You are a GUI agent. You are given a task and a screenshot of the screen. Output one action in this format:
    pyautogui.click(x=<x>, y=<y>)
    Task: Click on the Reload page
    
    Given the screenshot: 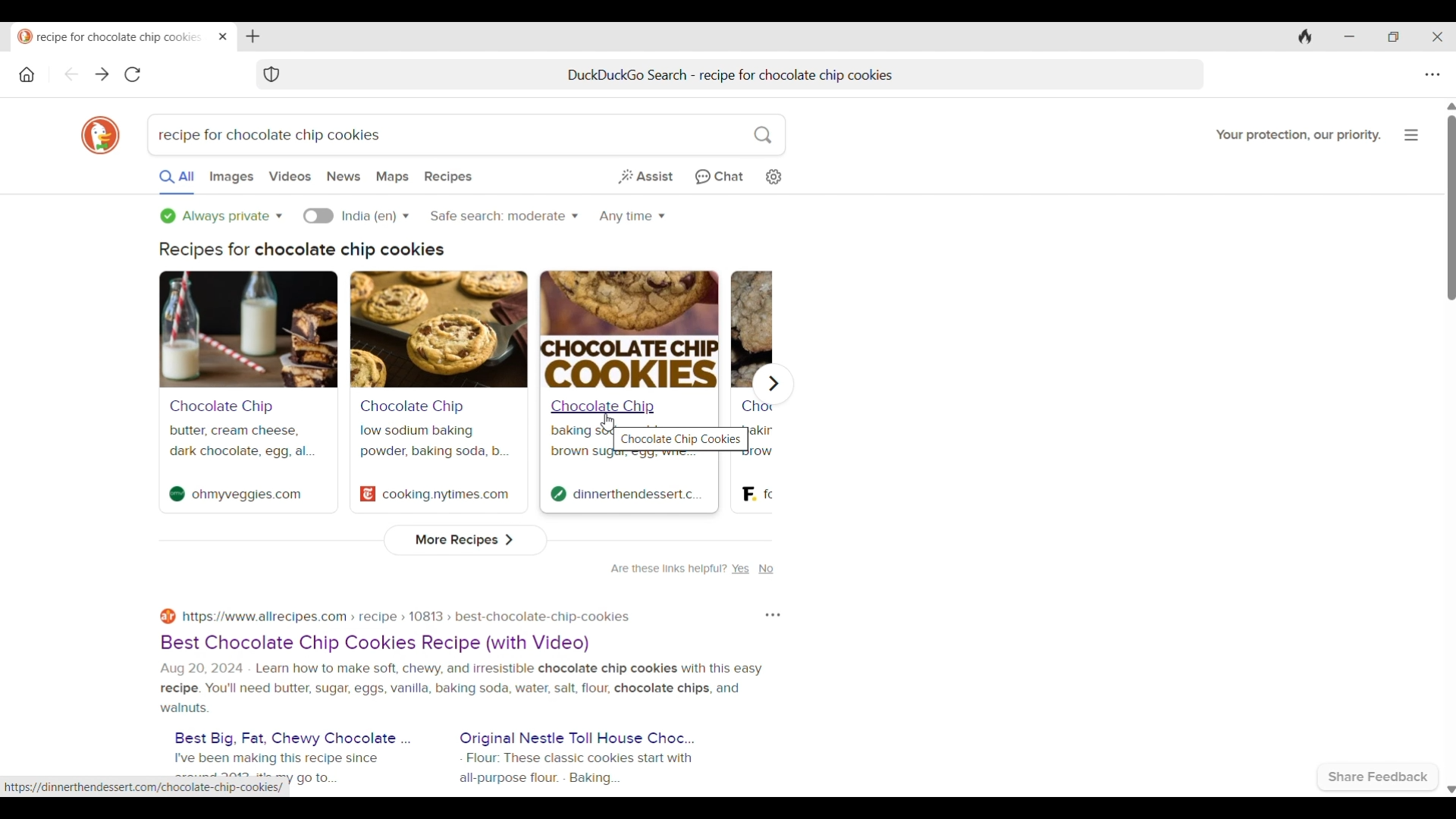 What is the action you would take?
    pyautogui.click(x=131, y=75)
    